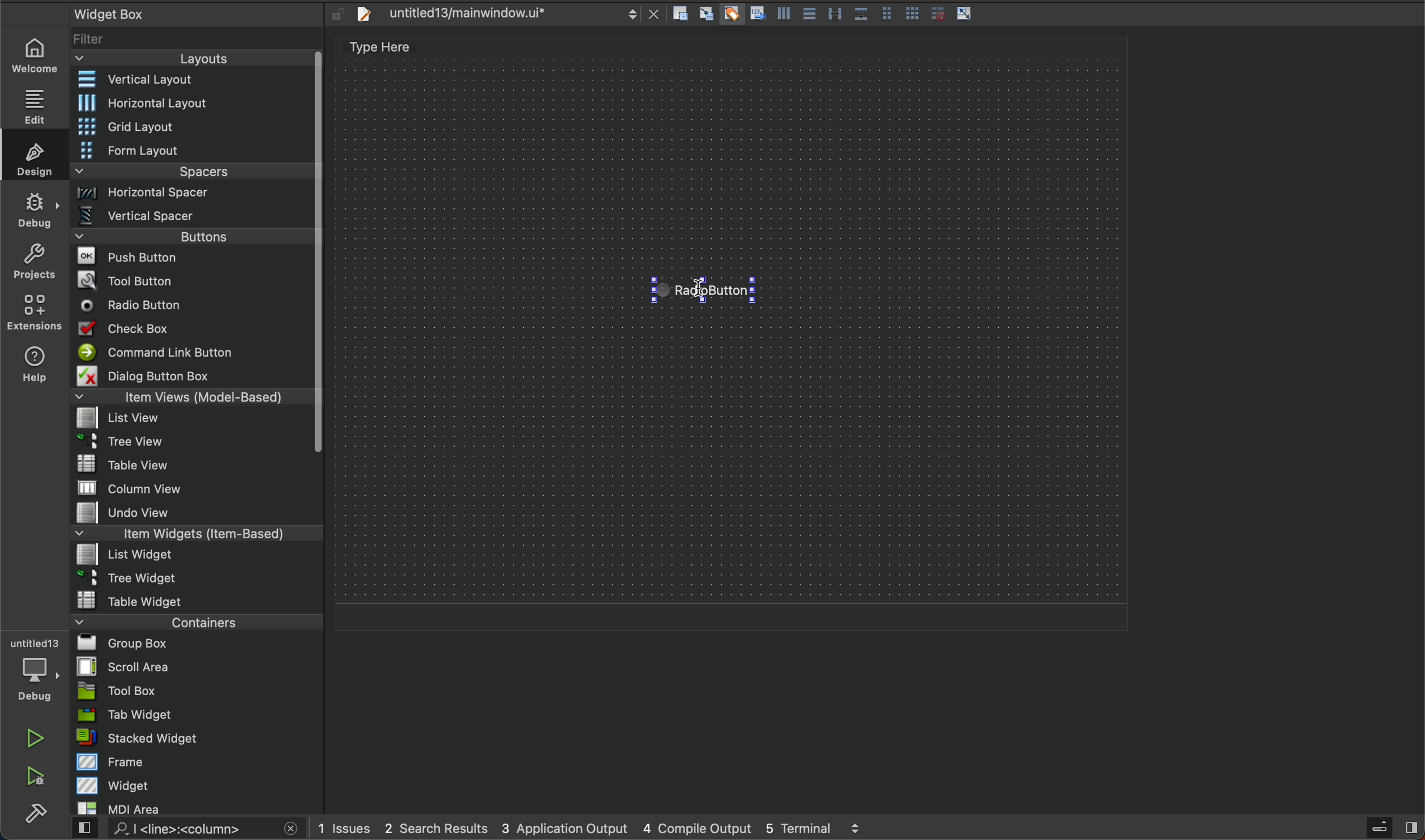 The height and width of the screenshot is (840, 1425). Describe the element at coordinates (708, 291) in the screenshot. I see `click` at that location.